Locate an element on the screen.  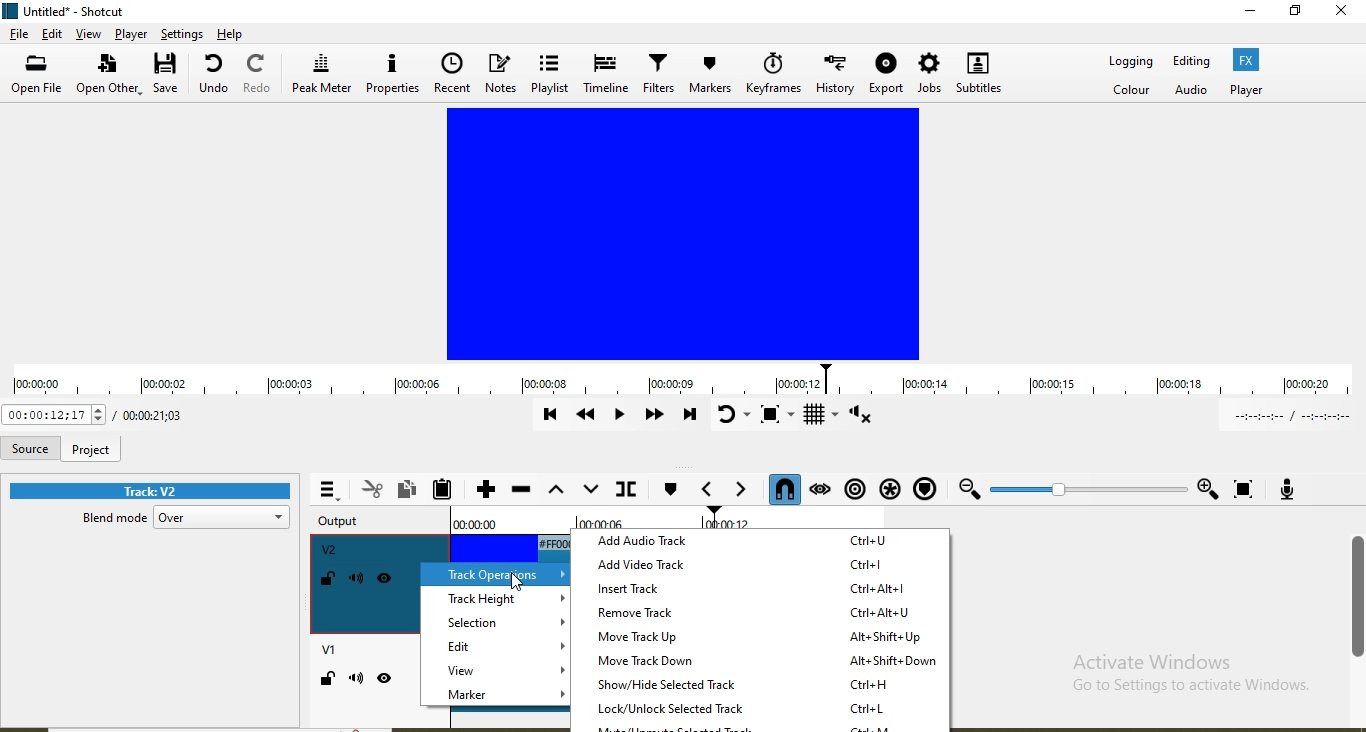
Timeline is located at coordinates (606, 74).